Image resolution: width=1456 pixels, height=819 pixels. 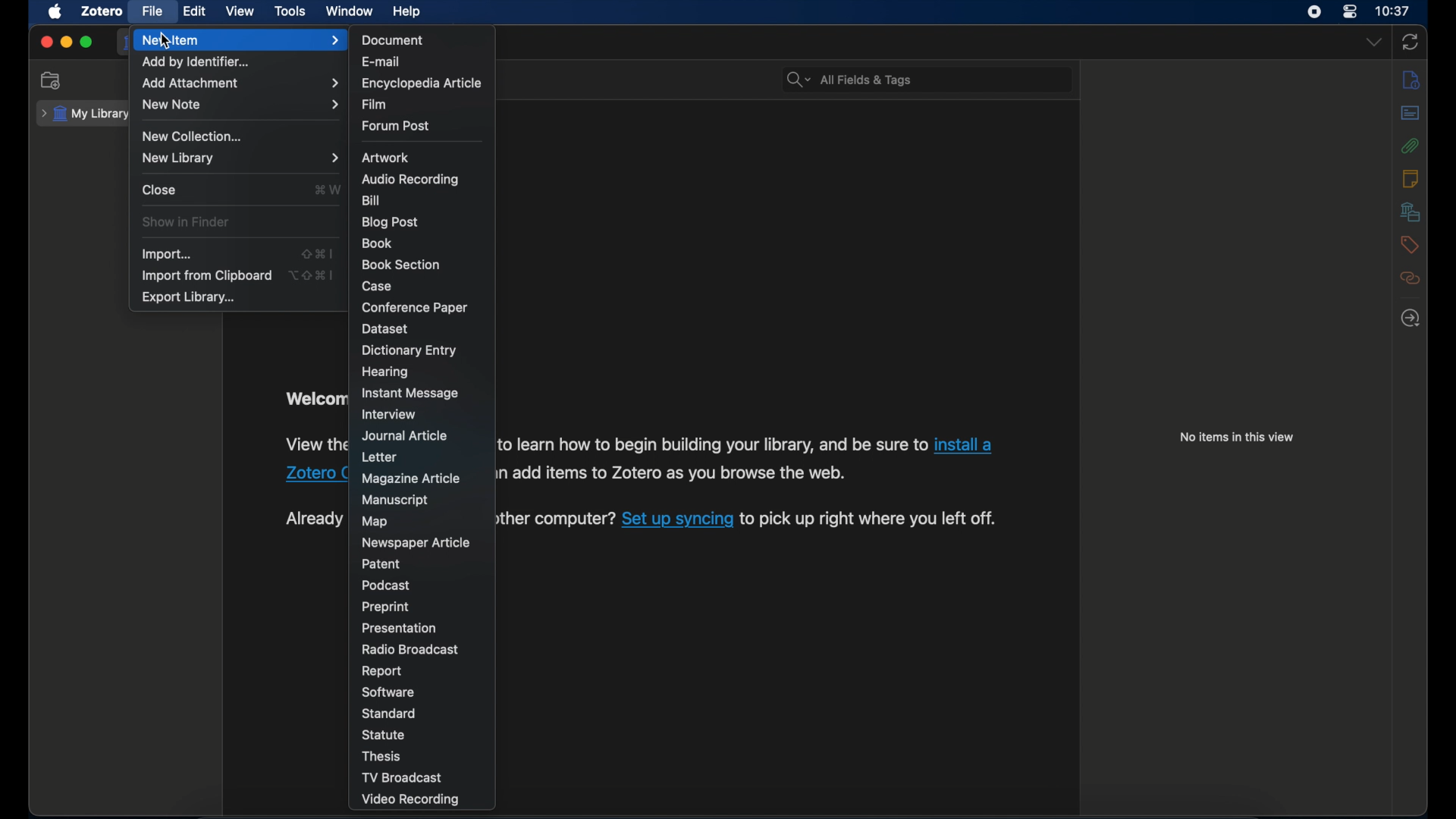 I want to click on Zotero connector link, so click(x=963, y=444).